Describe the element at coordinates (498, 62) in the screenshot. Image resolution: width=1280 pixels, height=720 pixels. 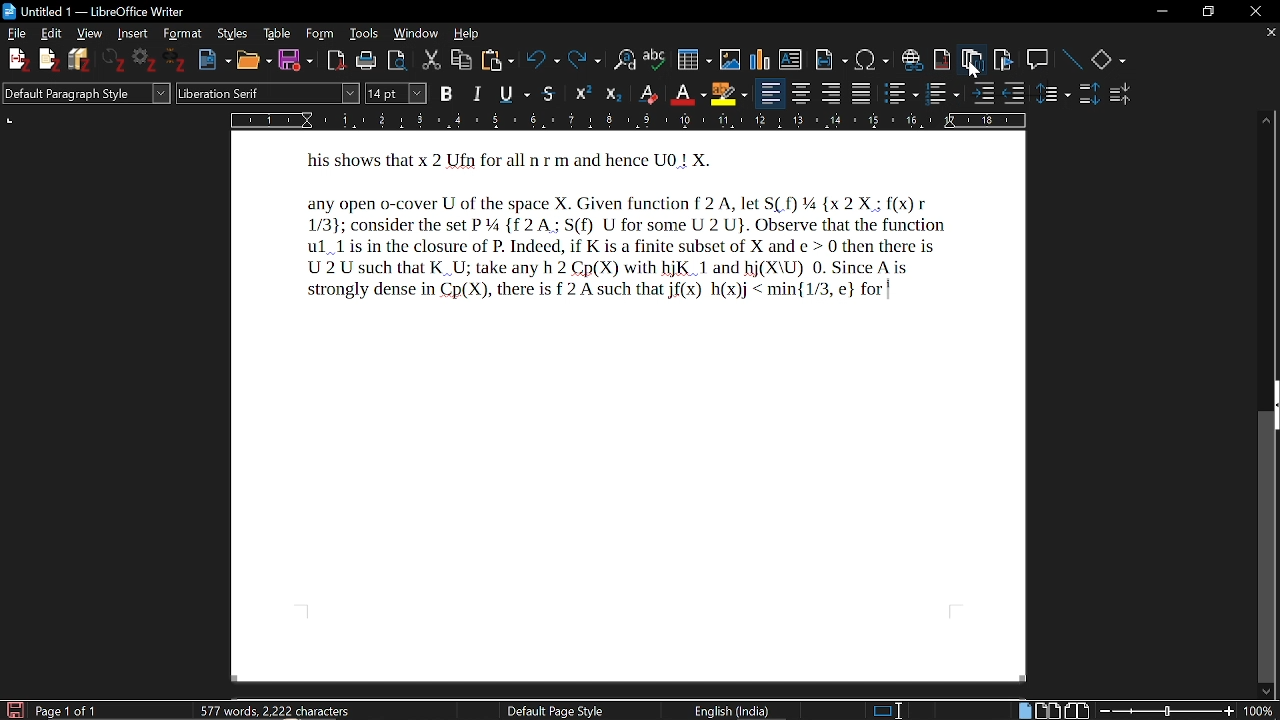
I see `PAste` at that location.